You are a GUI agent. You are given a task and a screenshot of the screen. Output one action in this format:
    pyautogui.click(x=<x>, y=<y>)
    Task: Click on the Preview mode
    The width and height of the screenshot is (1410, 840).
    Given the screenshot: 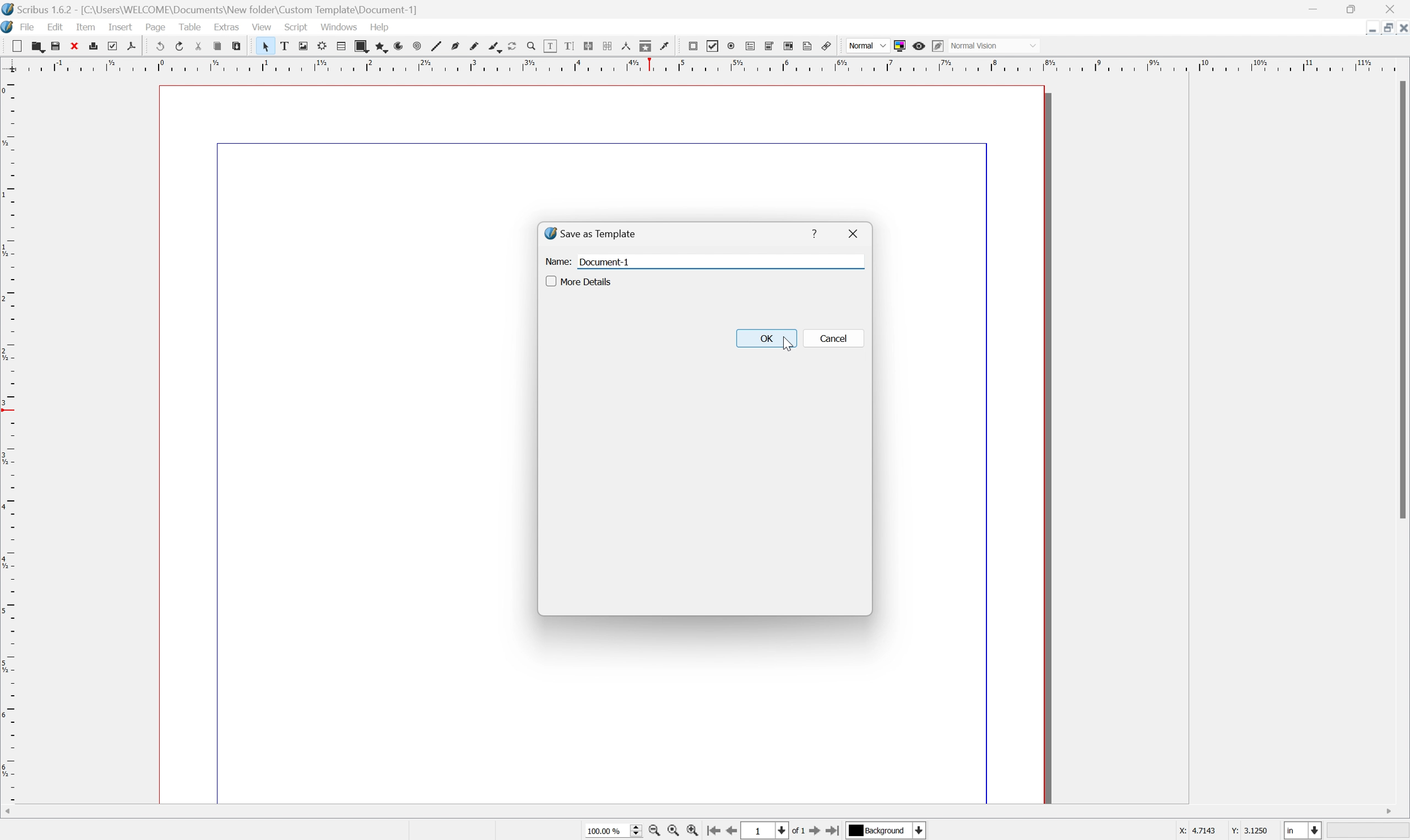 What is the action you would take?
    pyautogui.click(x=918, y=45)
    